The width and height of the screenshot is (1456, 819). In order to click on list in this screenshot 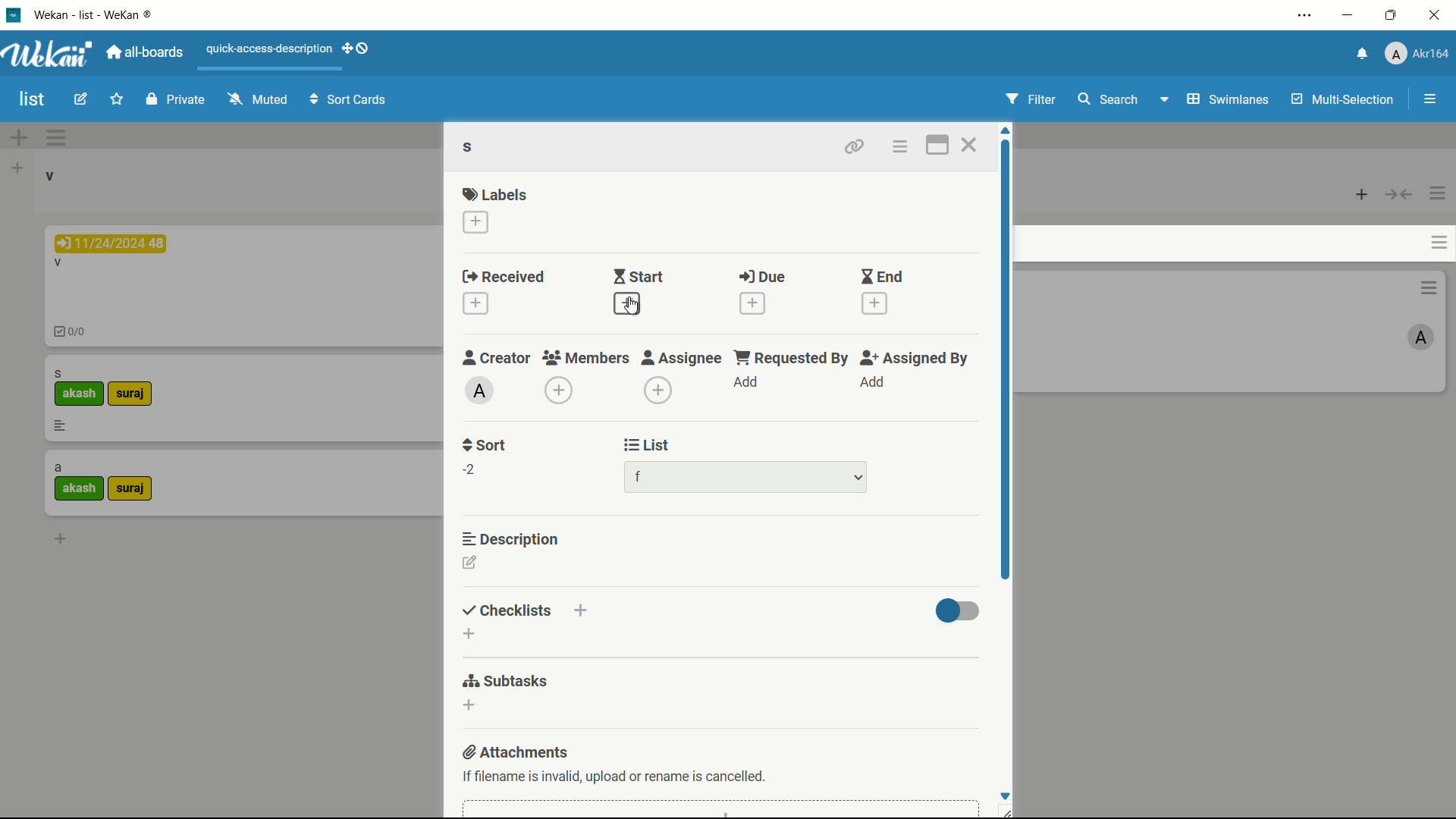, I will do `click(644, 446)`.